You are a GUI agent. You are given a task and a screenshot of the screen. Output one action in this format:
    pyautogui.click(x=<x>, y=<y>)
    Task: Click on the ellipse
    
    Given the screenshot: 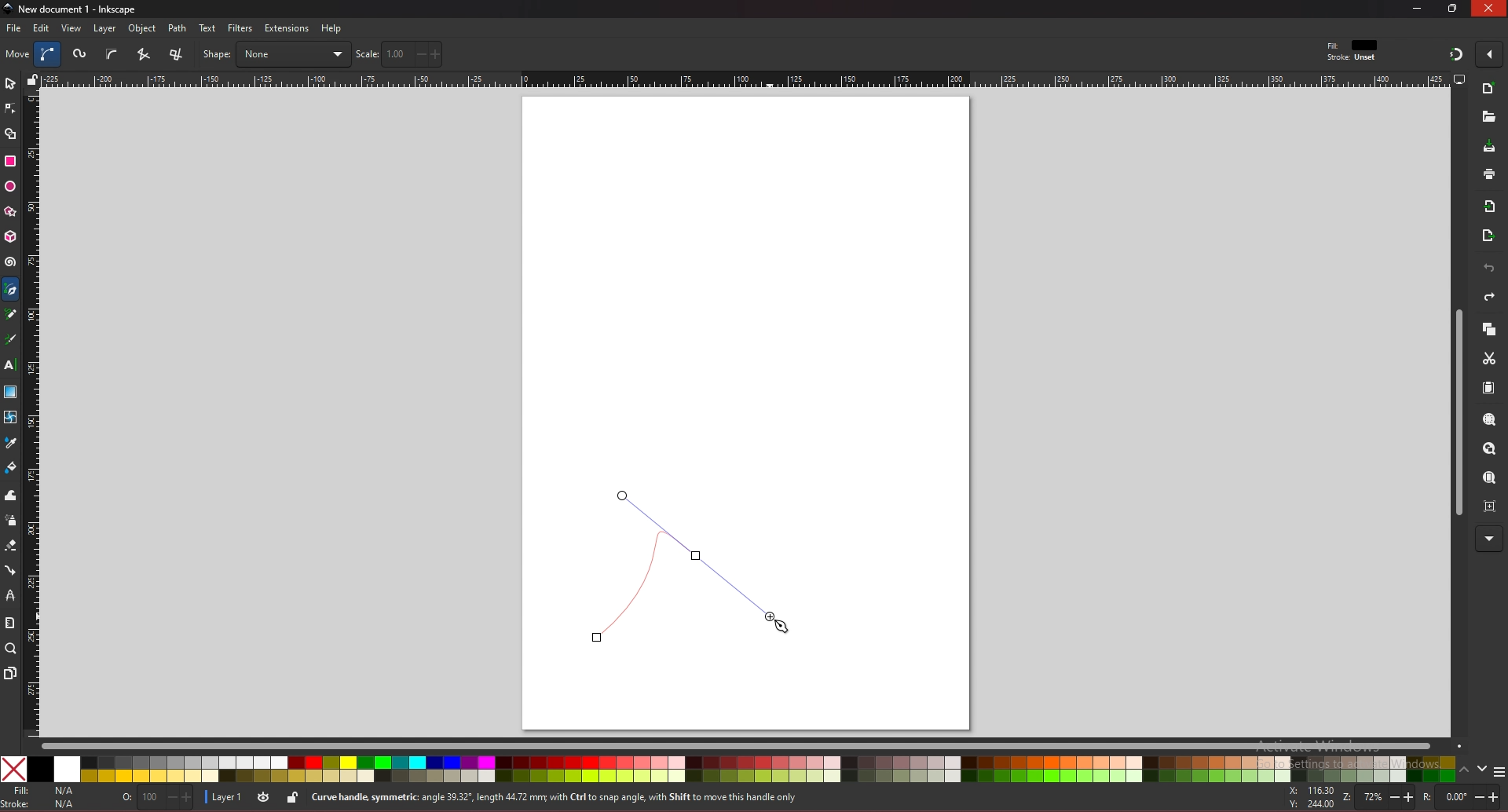 What is the action you would take?
    pyautogui.click(x=10, y=187)
    